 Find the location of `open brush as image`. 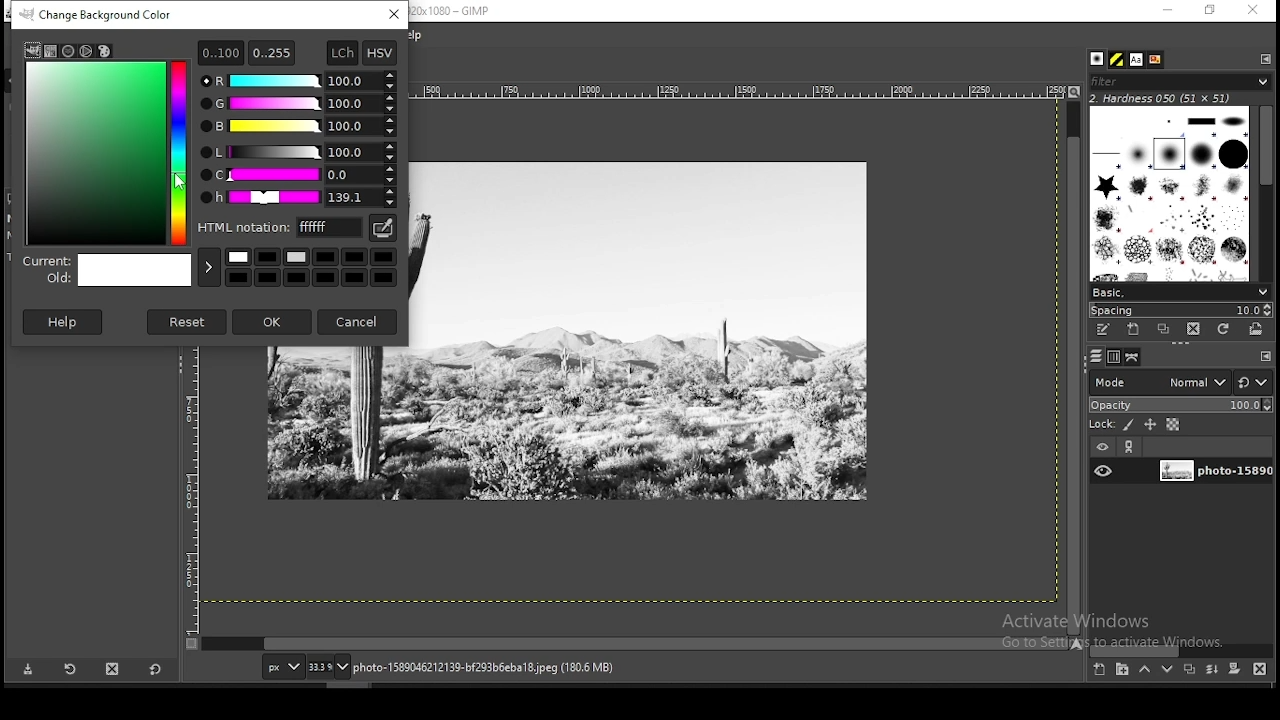

open brush as image is located at coordinates (1257, 330).